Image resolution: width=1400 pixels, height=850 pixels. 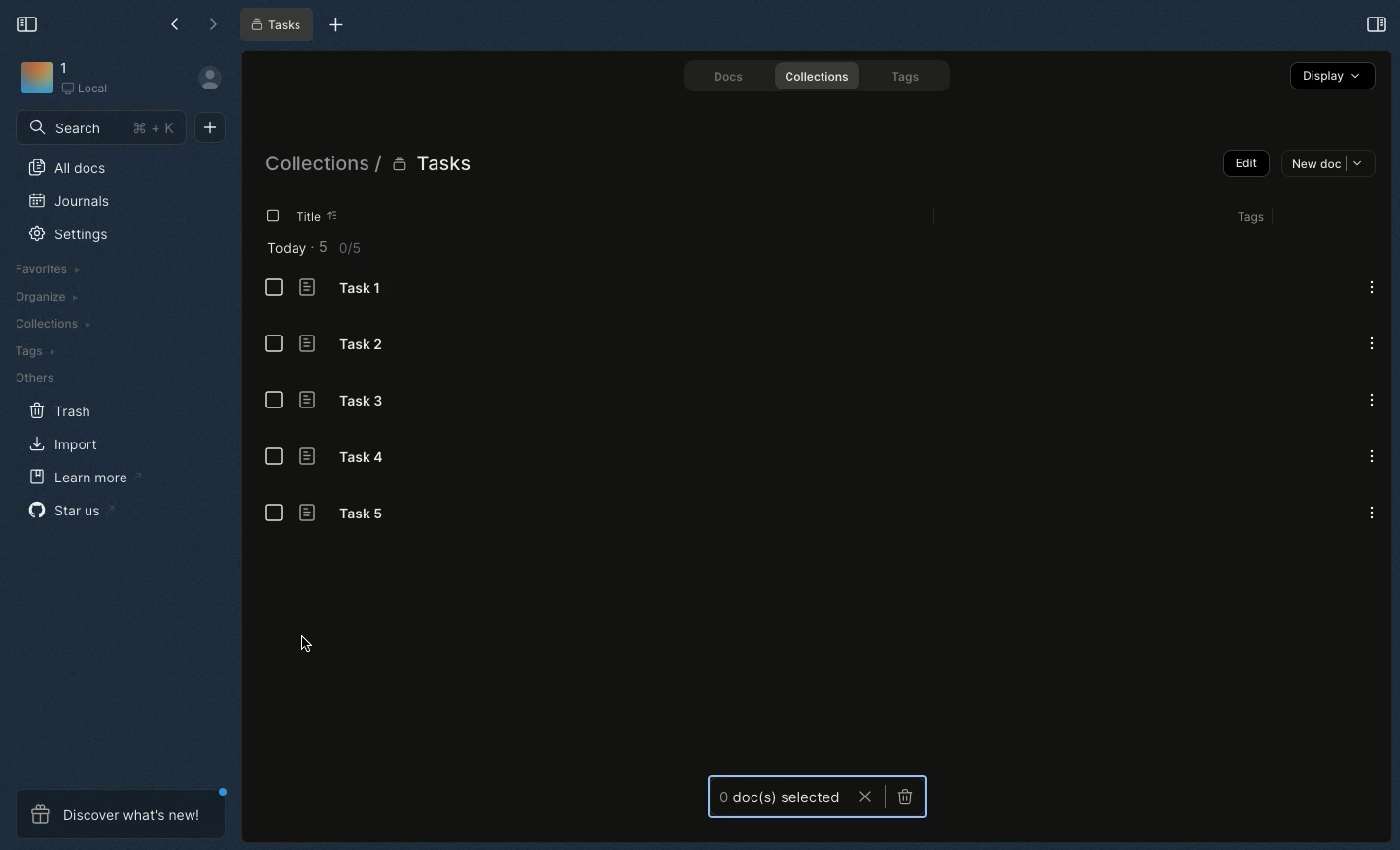 I want to click on Options, so click(x=1370, y=399).